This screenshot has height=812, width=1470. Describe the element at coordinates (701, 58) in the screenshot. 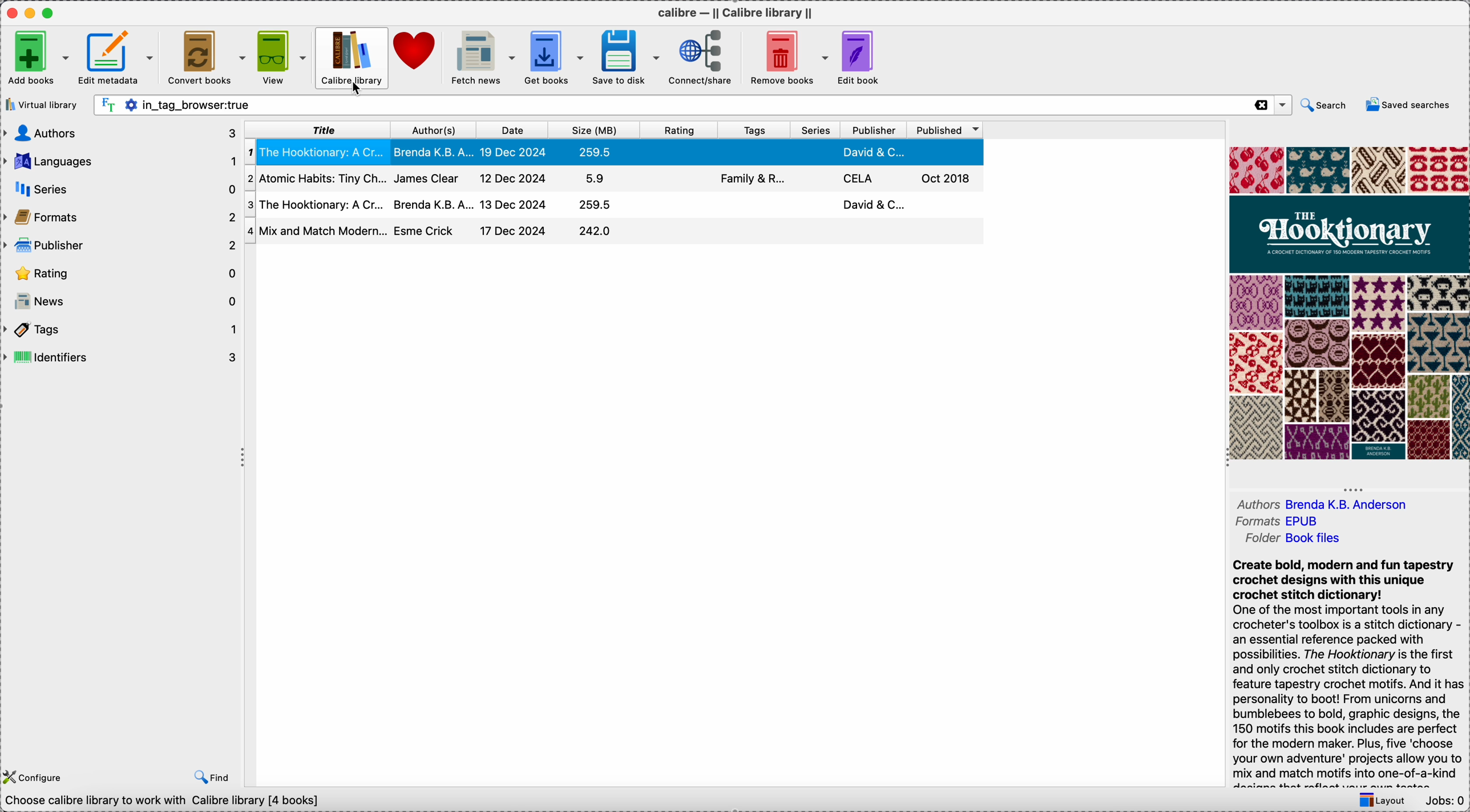

I see `connect/share` at that location.